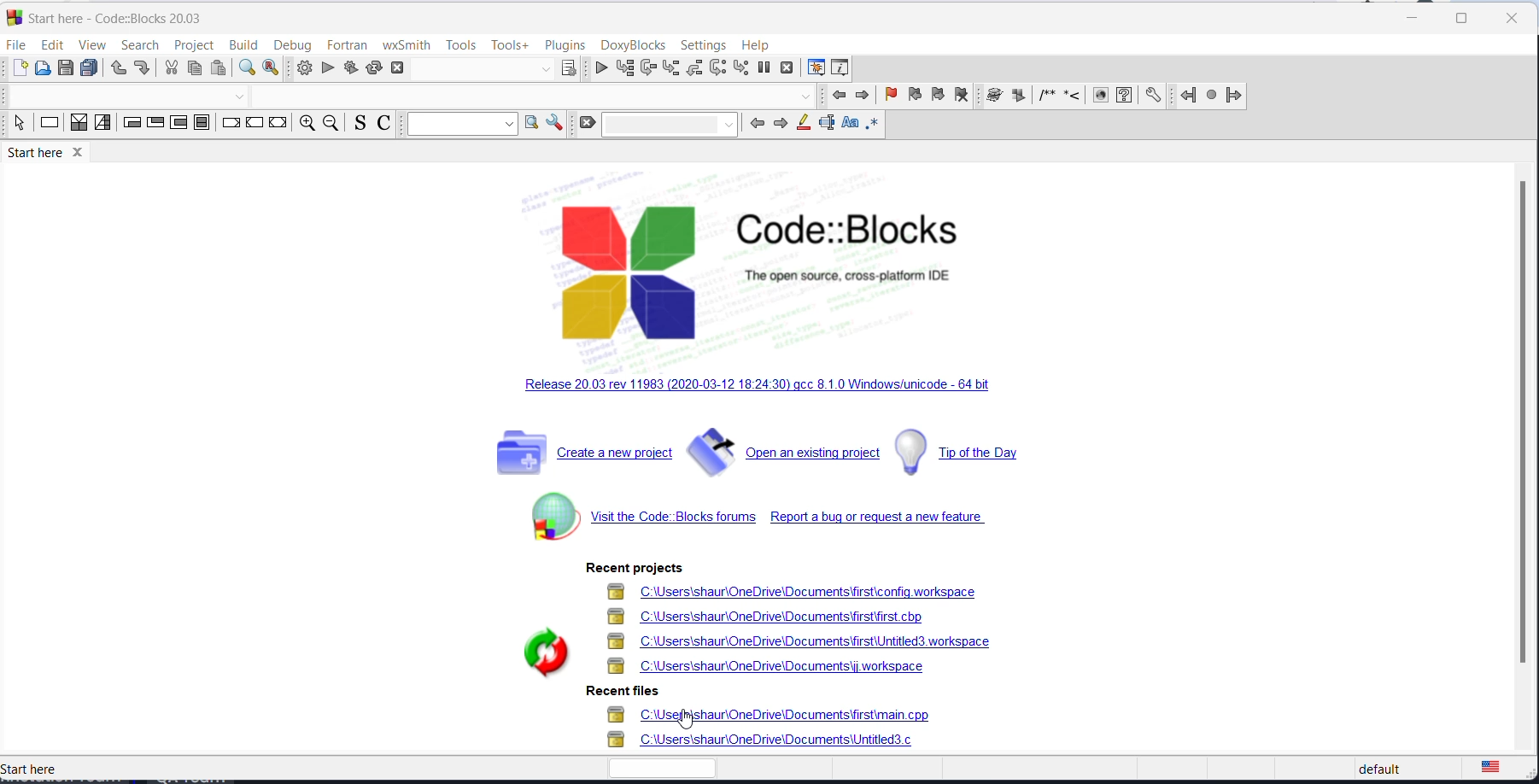 The height and width of the screenshot is (784, 1539). Describe the element at coordinates (743, 68) in the screenshot. I see `STEP INTO INSTRUCTION` at that location.